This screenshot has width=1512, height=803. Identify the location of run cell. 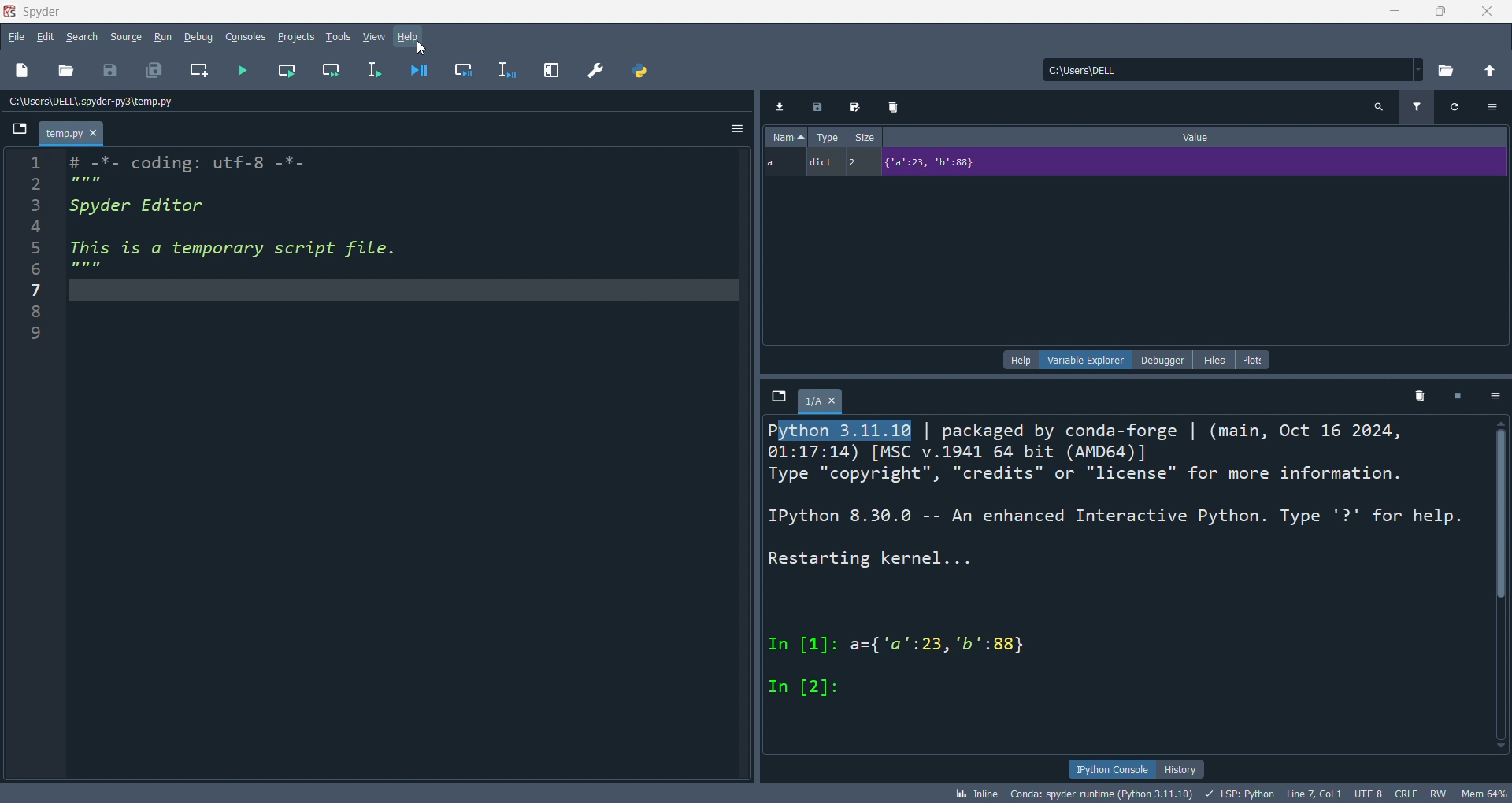
(329, 71).